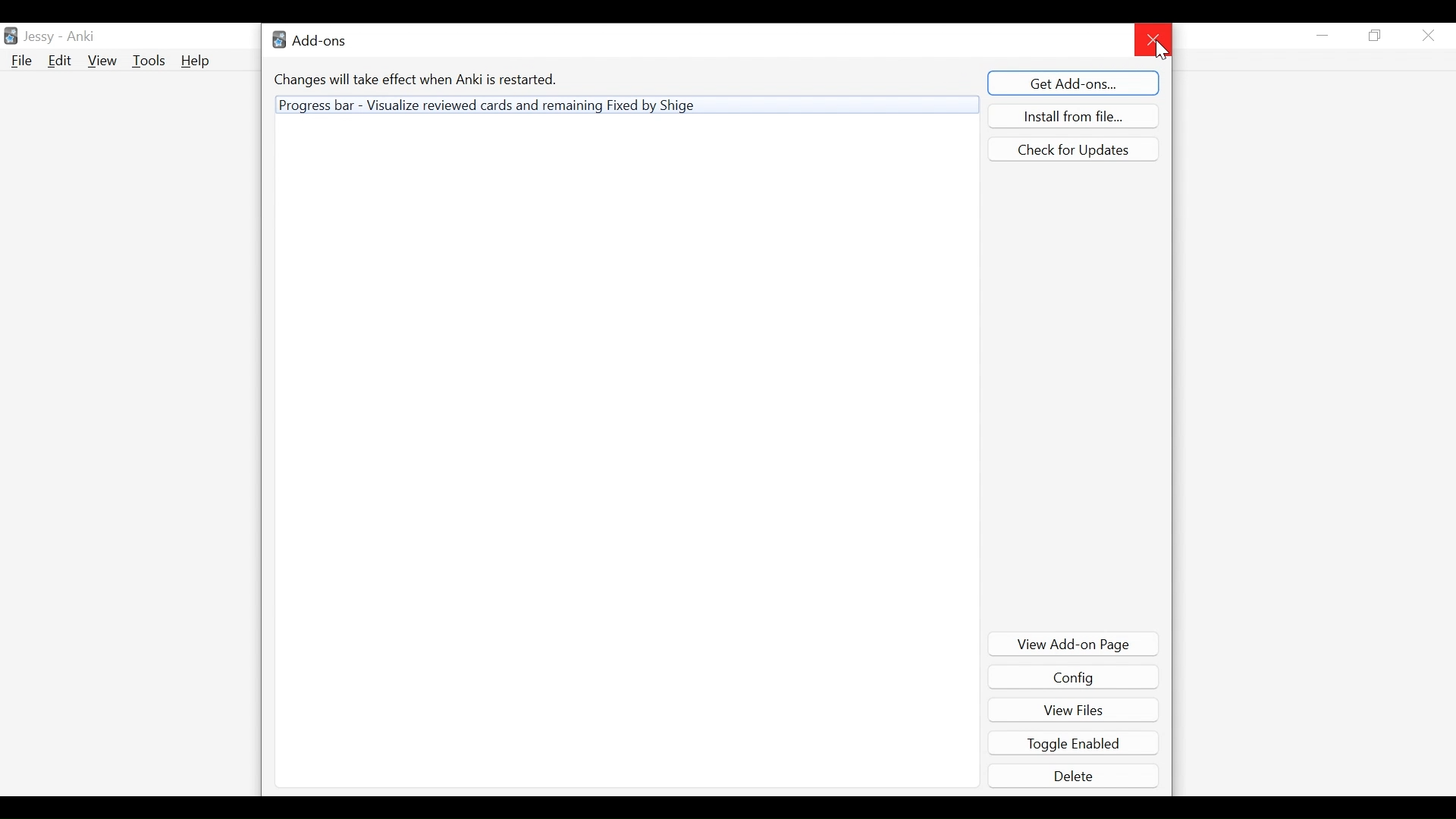 The image size is (1456, 819). Describe the element at coordinates (1075, 743) in the screenshot. I see `Toggle Enabled` at that location.